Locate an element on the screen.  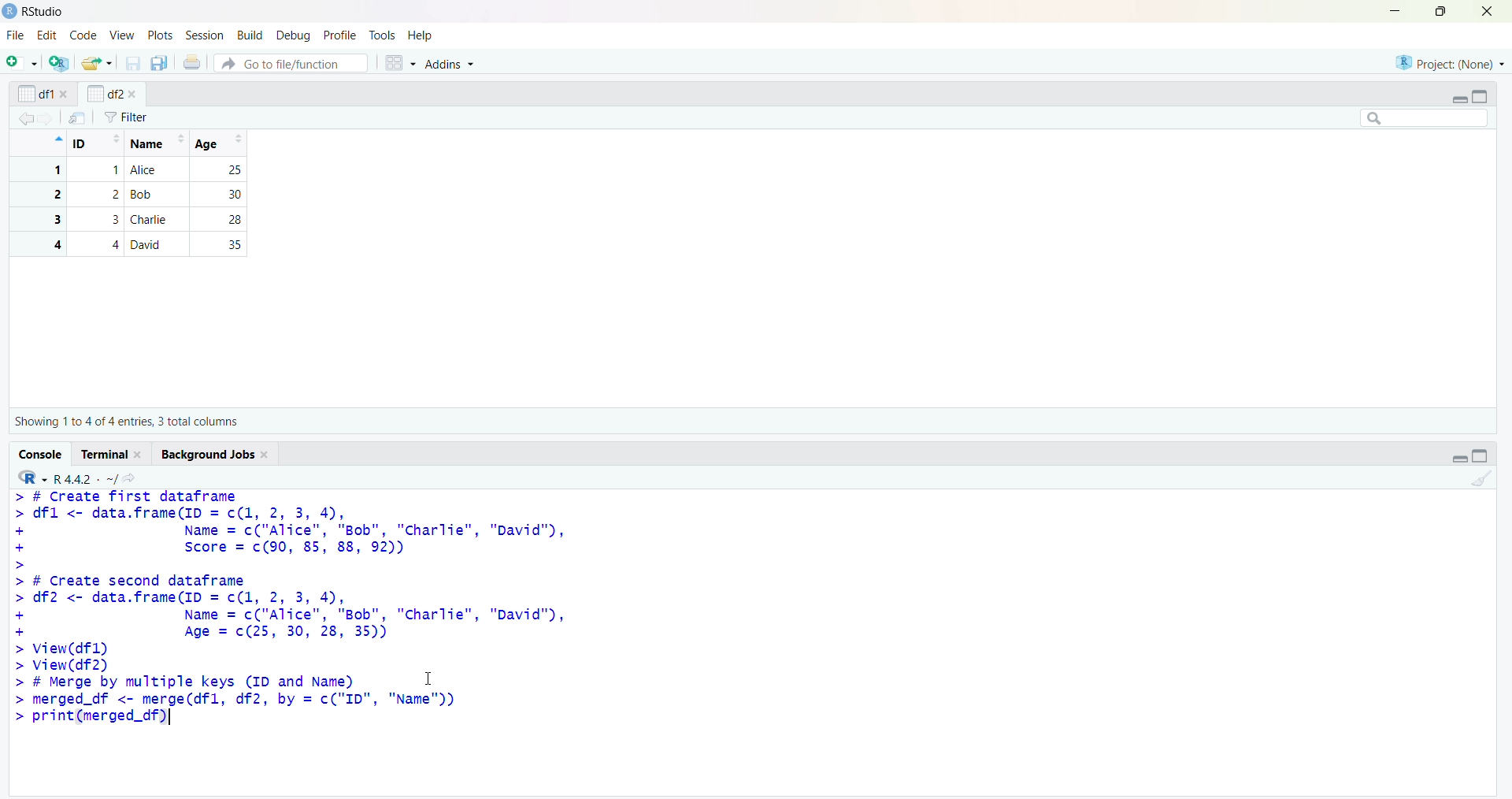
project (none) is located at coordinates (1450, 62).